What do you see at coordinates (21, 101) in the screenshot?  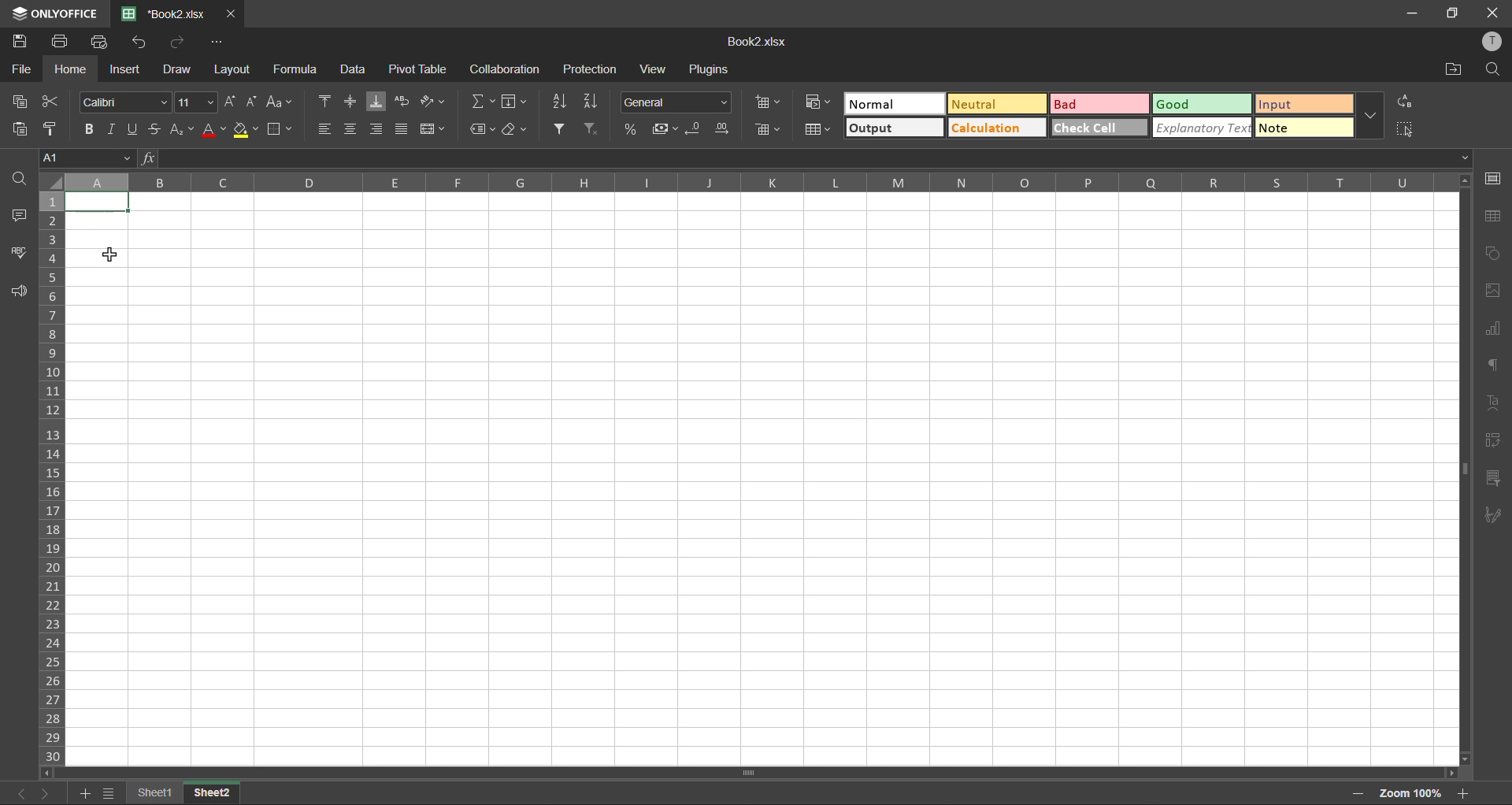 I see `copy` at bounding box center [21, 101].